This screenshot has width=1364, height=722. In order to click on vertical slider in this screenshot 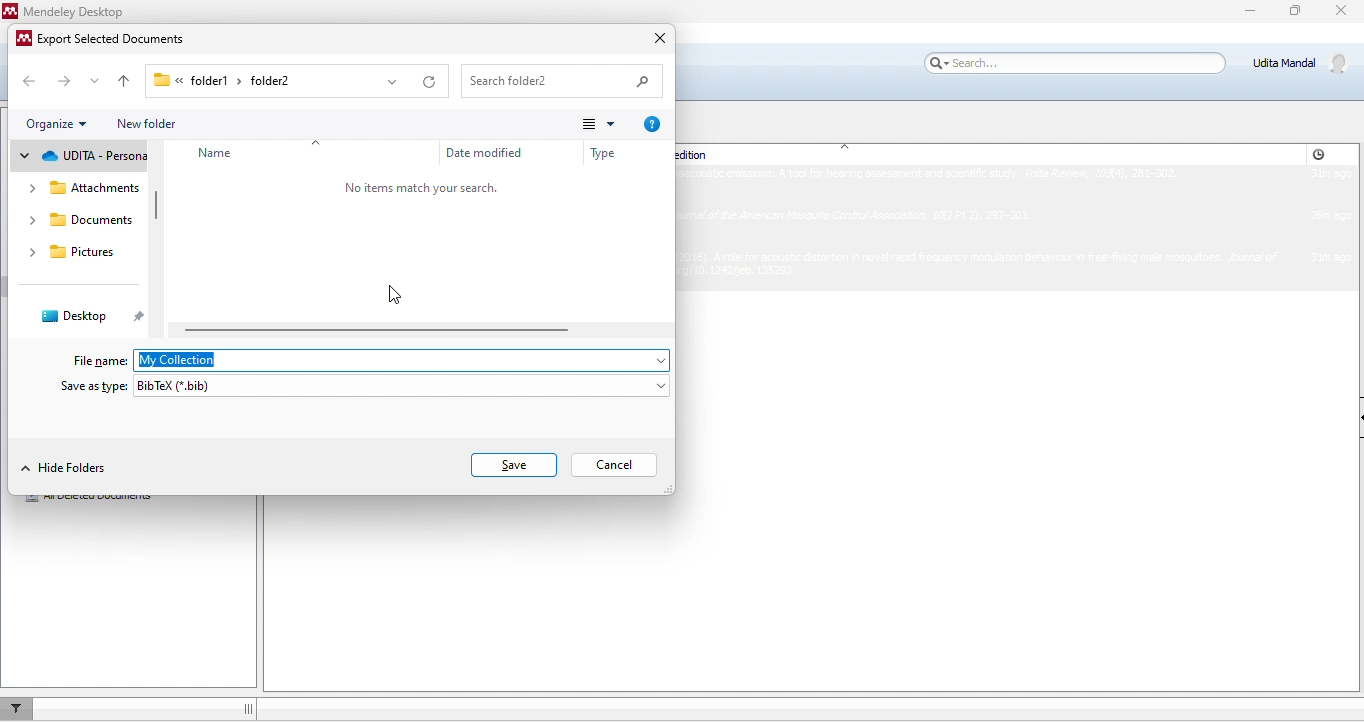, I will do `click(157, 206)`.